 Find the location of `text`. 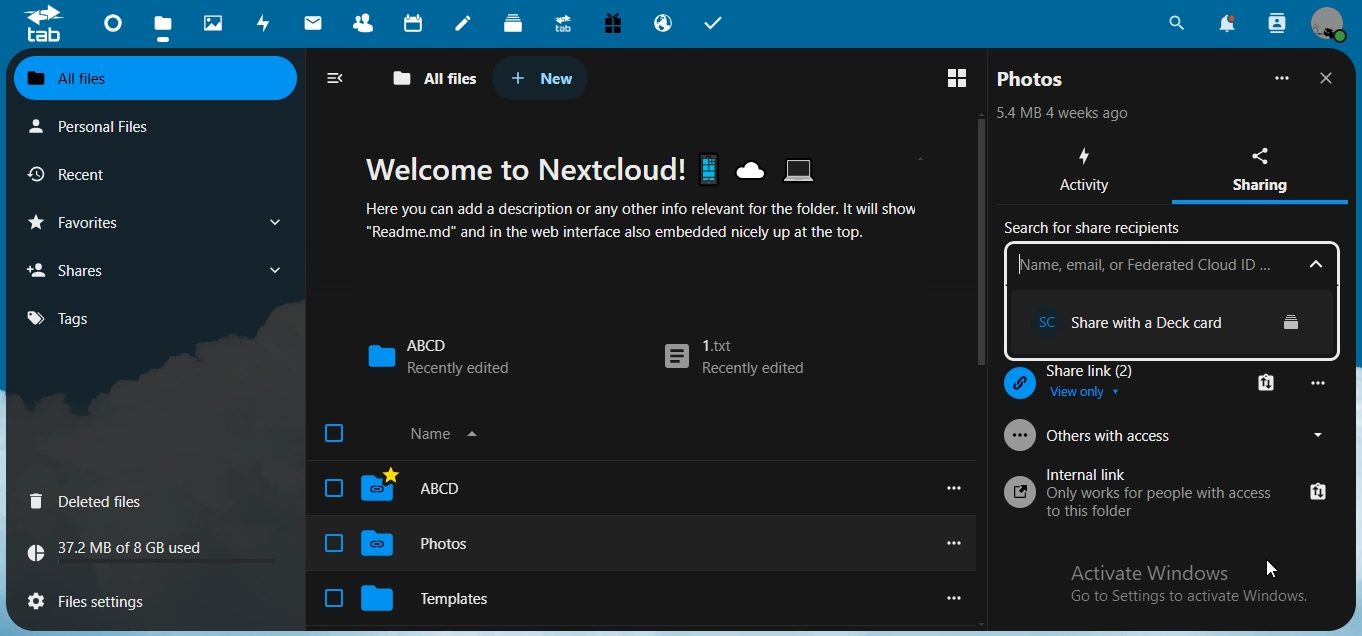

text is located at coordinates (1064, 115).